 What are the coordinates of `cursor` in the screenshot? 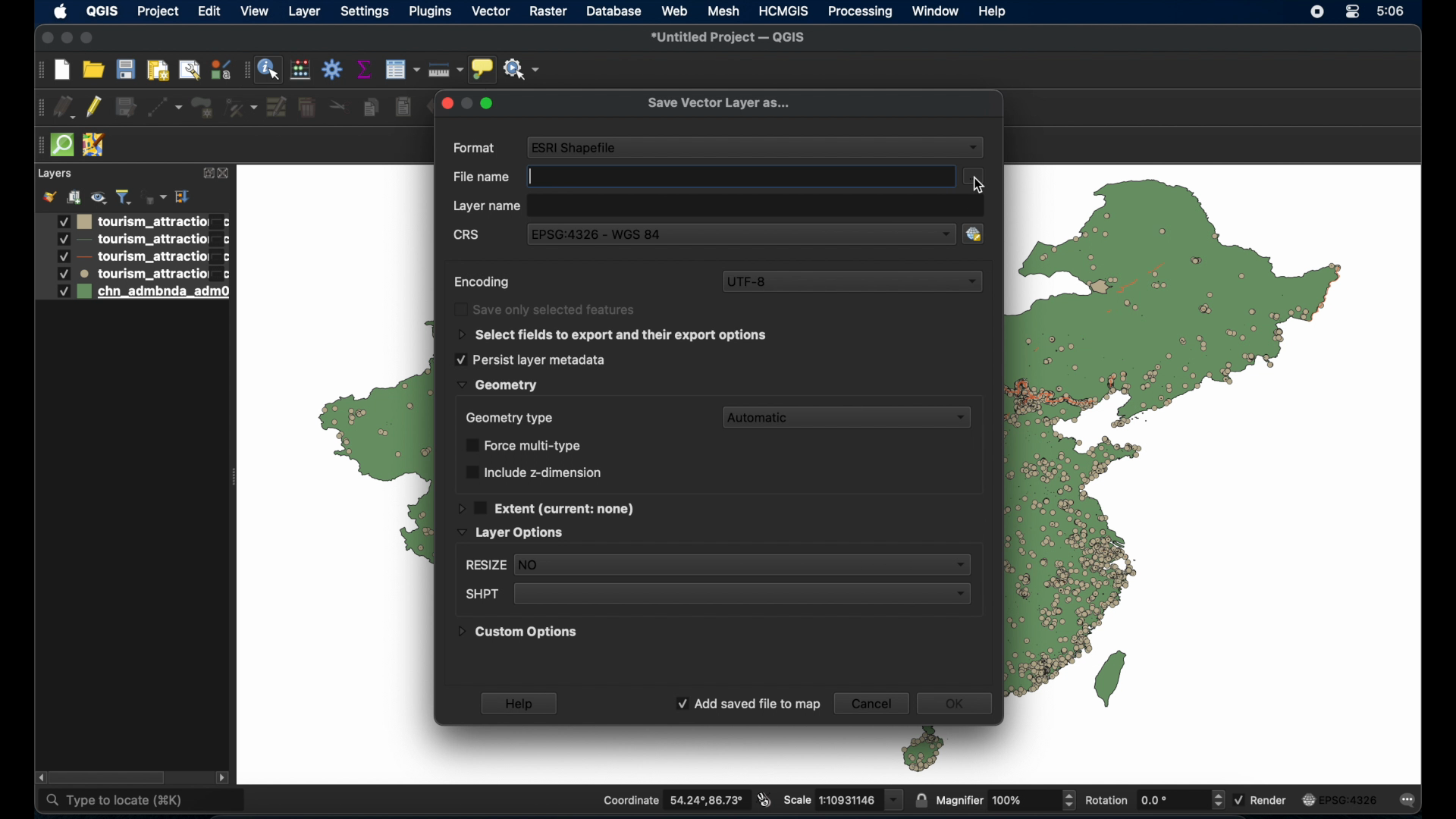 It's located at (979, 187).